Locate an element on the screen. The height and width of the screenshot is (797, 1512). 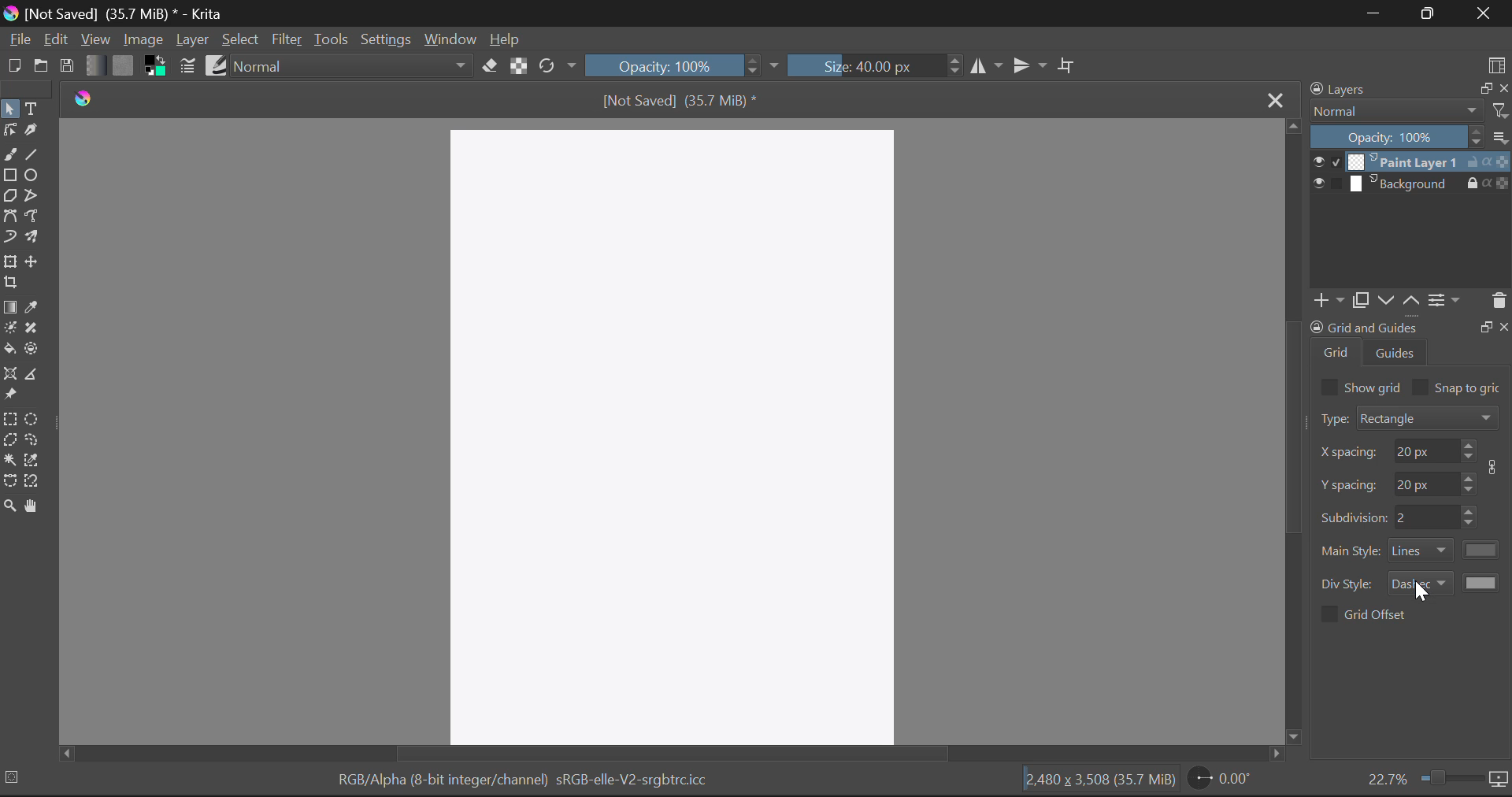
Freehand is located at coordinates (9, 155).